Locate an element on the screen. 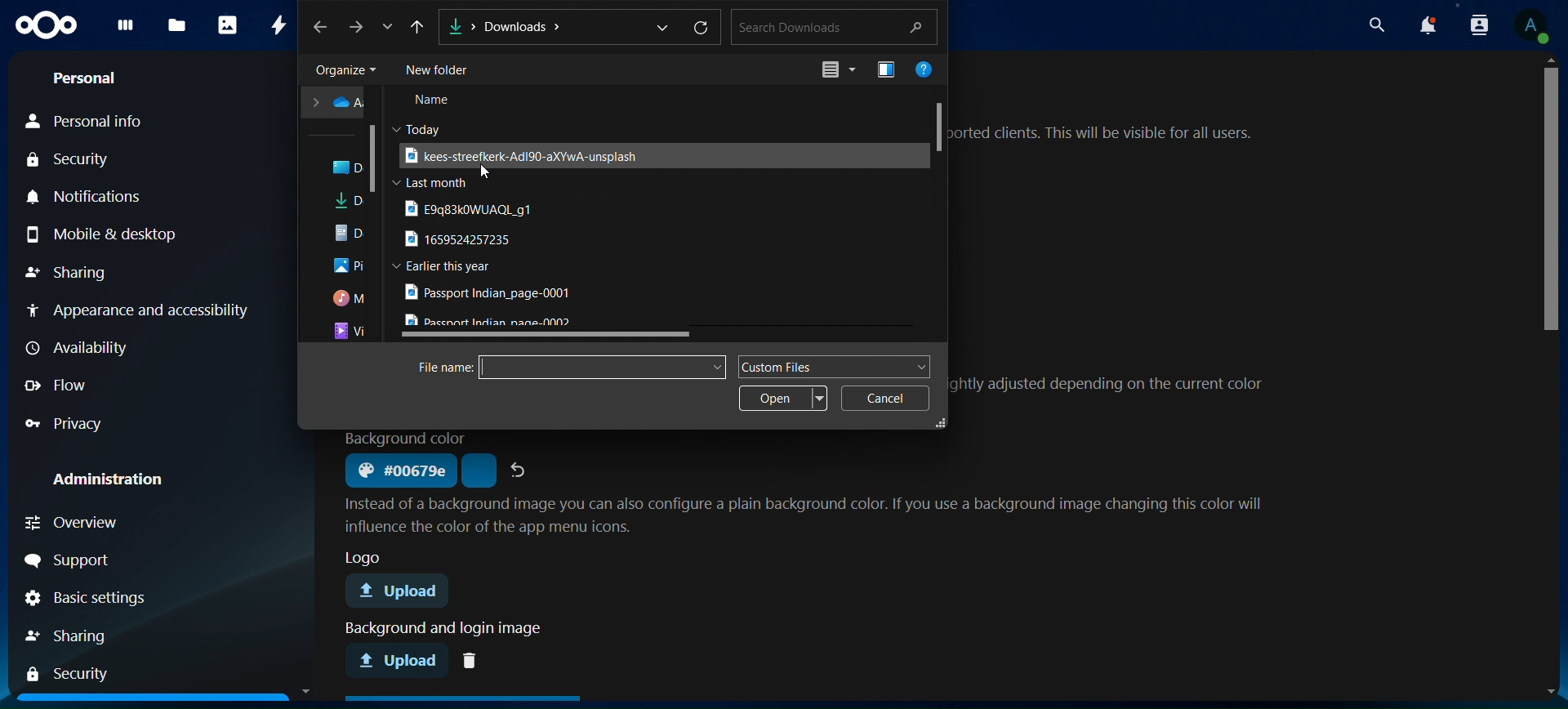 Image resolution: width=1568 pixels, height=709 pixels. notoifications is located at coordinates (1429, 26).